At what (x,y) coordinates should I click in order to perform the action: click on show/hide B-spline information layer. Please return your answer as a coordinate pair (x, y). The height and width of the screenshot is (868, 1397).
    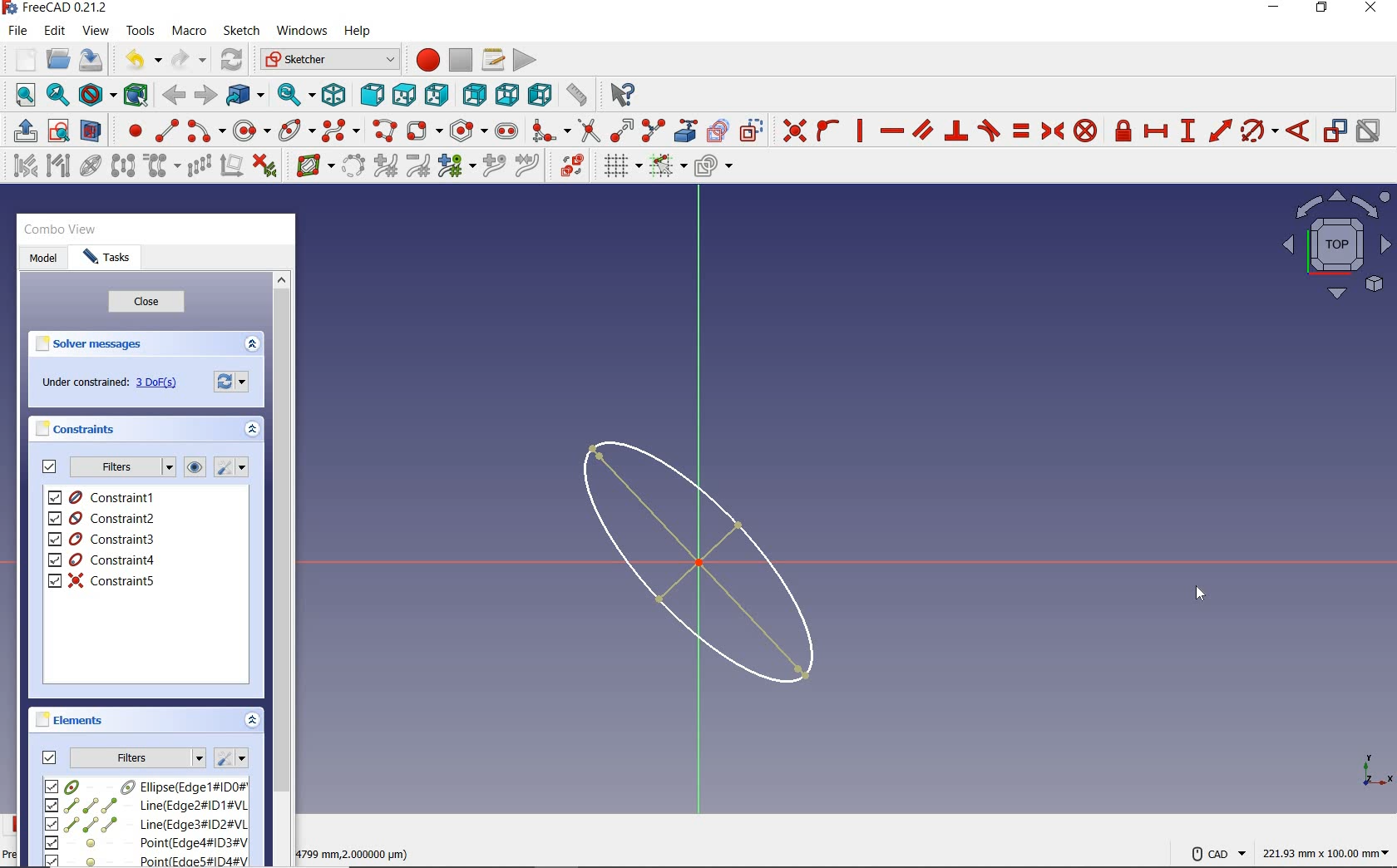
    Looking at the image, I should click on (311, 165).